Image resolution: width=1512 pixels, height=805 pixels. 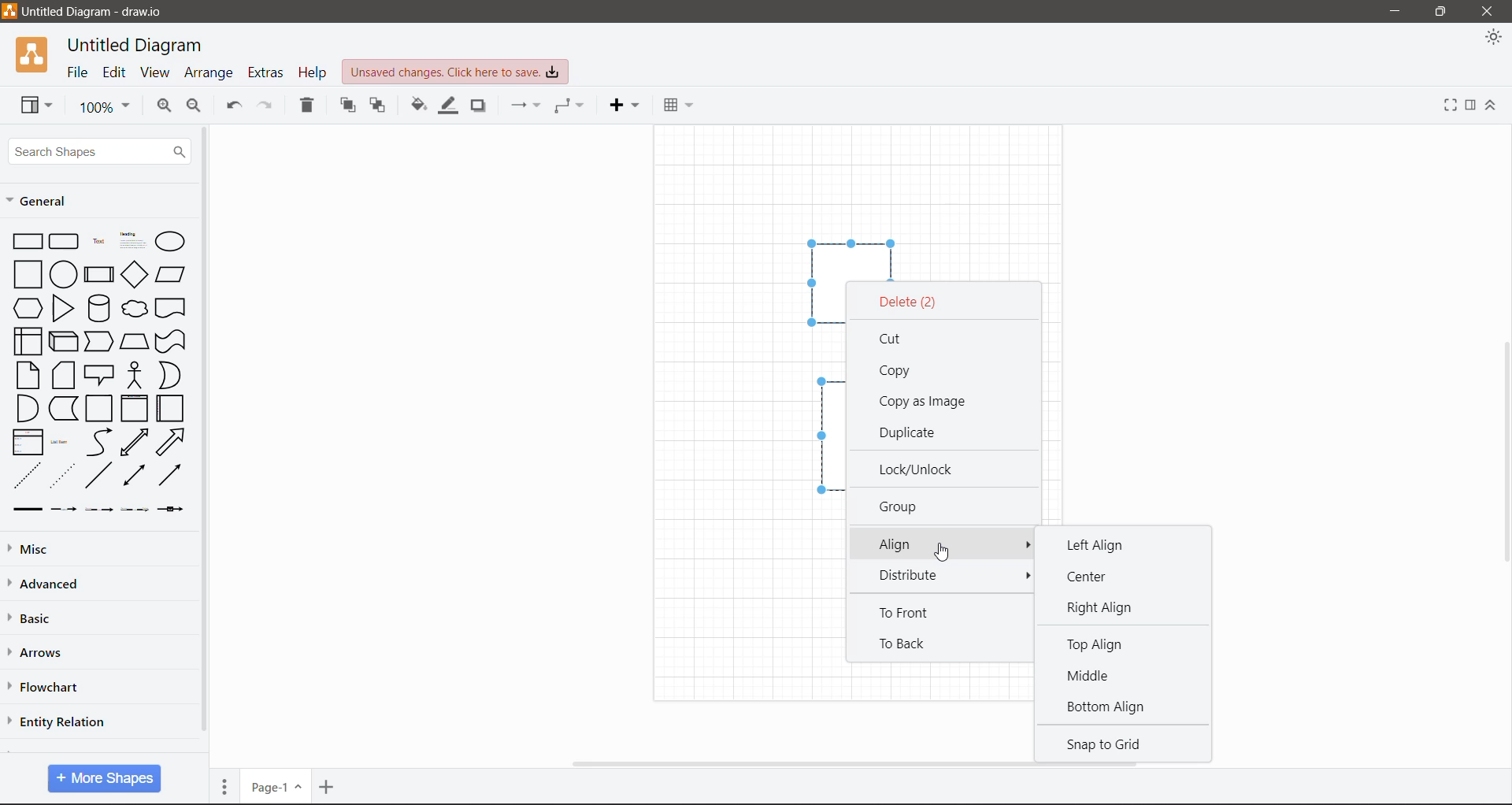 What do you see at coordinates (418, 108) in the screenshot?
I see `Fill Color` at bounding box center [418, 108].